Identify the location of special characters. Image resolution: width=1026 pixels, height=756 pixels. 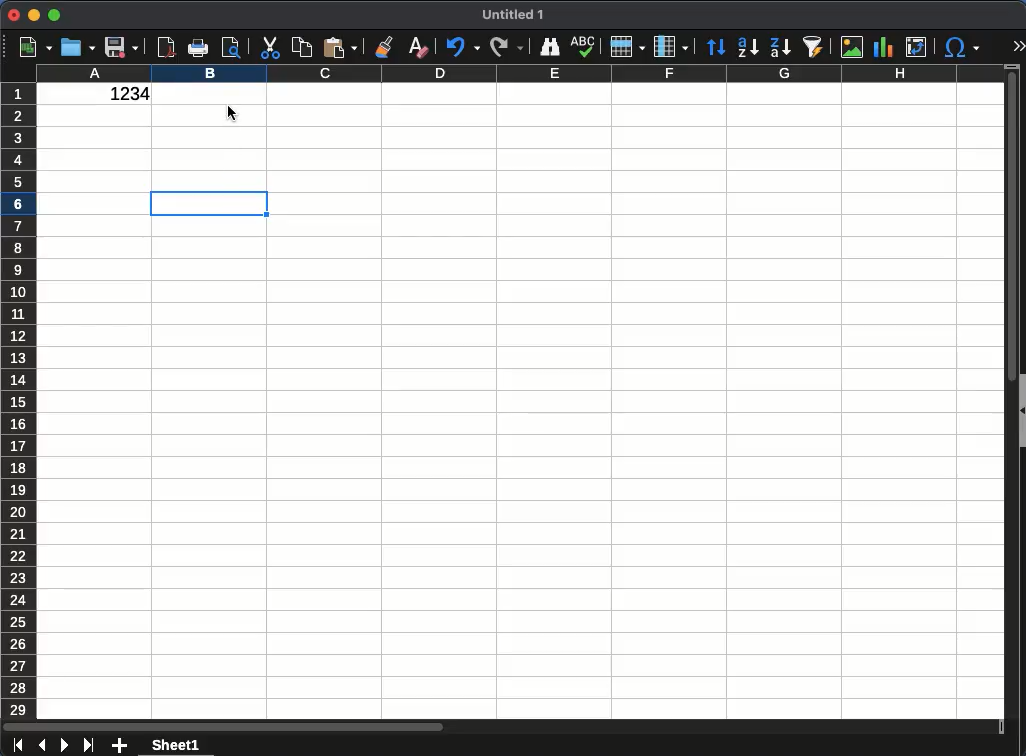
(959, 47).